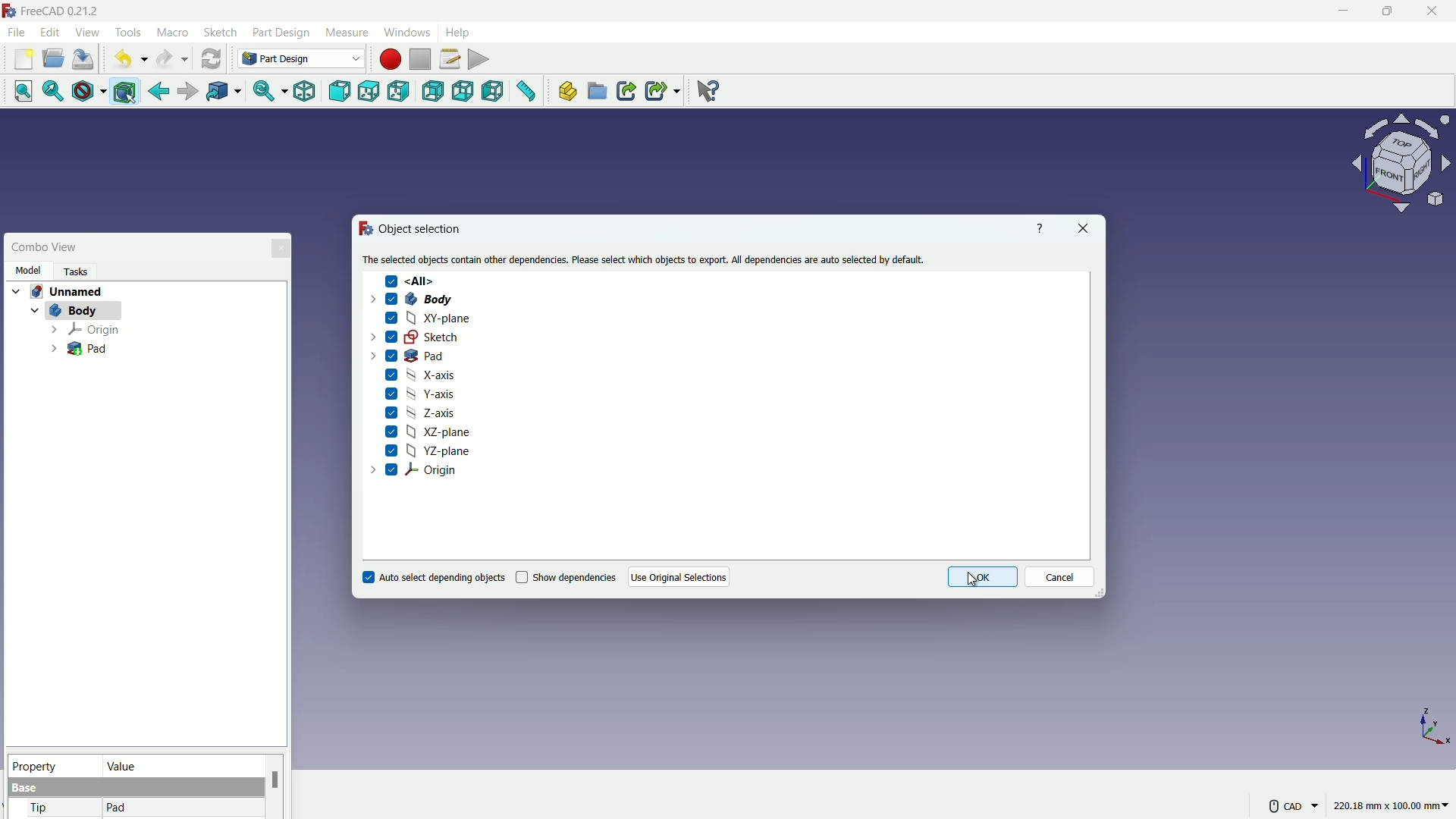 The image size is (1456, 819). Describe the element at coordinates (411, 228) in the screenshot. I see `Object selection` at that location.